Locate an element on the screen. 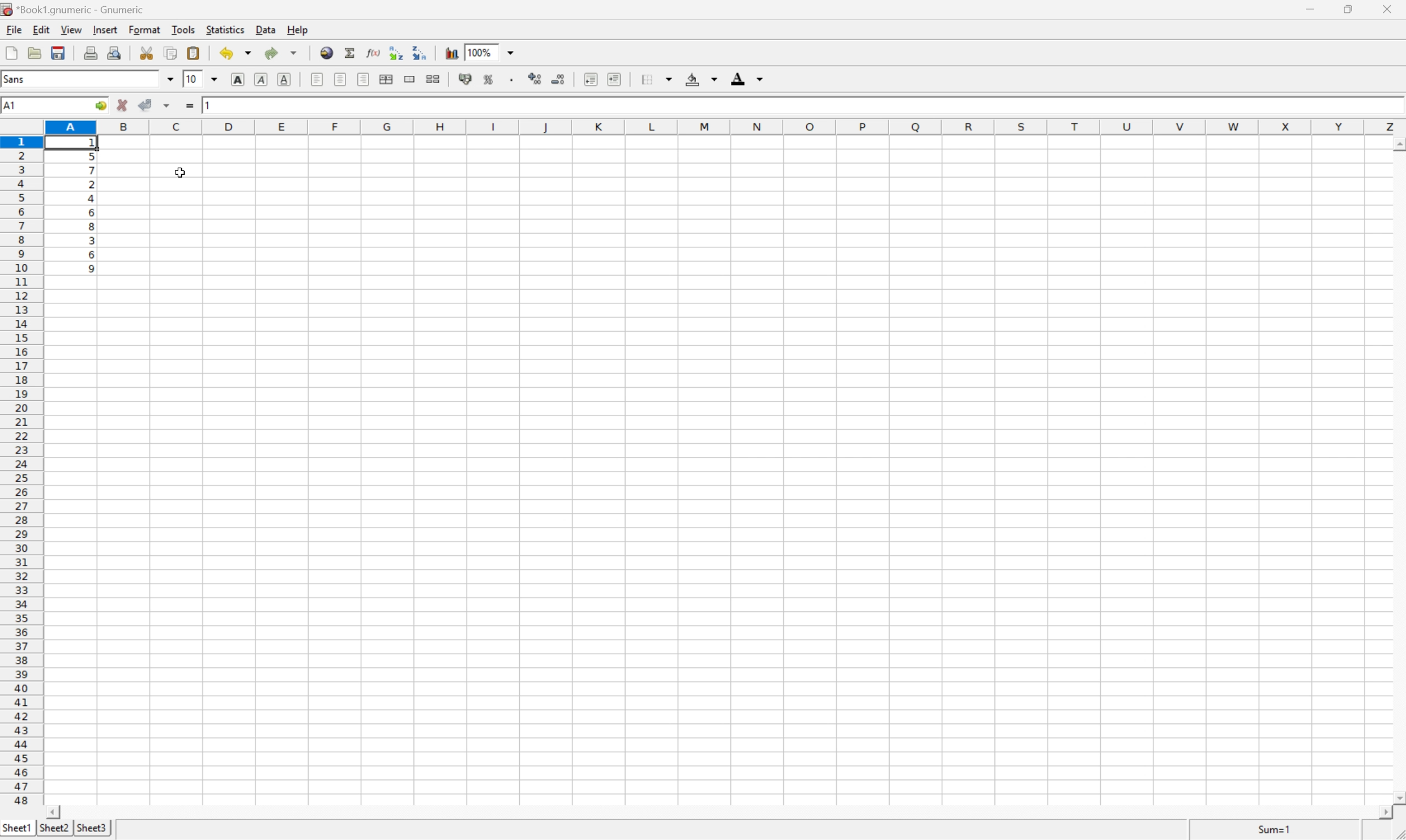 This screenshot has width=1406, height=840. enter formula is located at coordinates (193, 106).